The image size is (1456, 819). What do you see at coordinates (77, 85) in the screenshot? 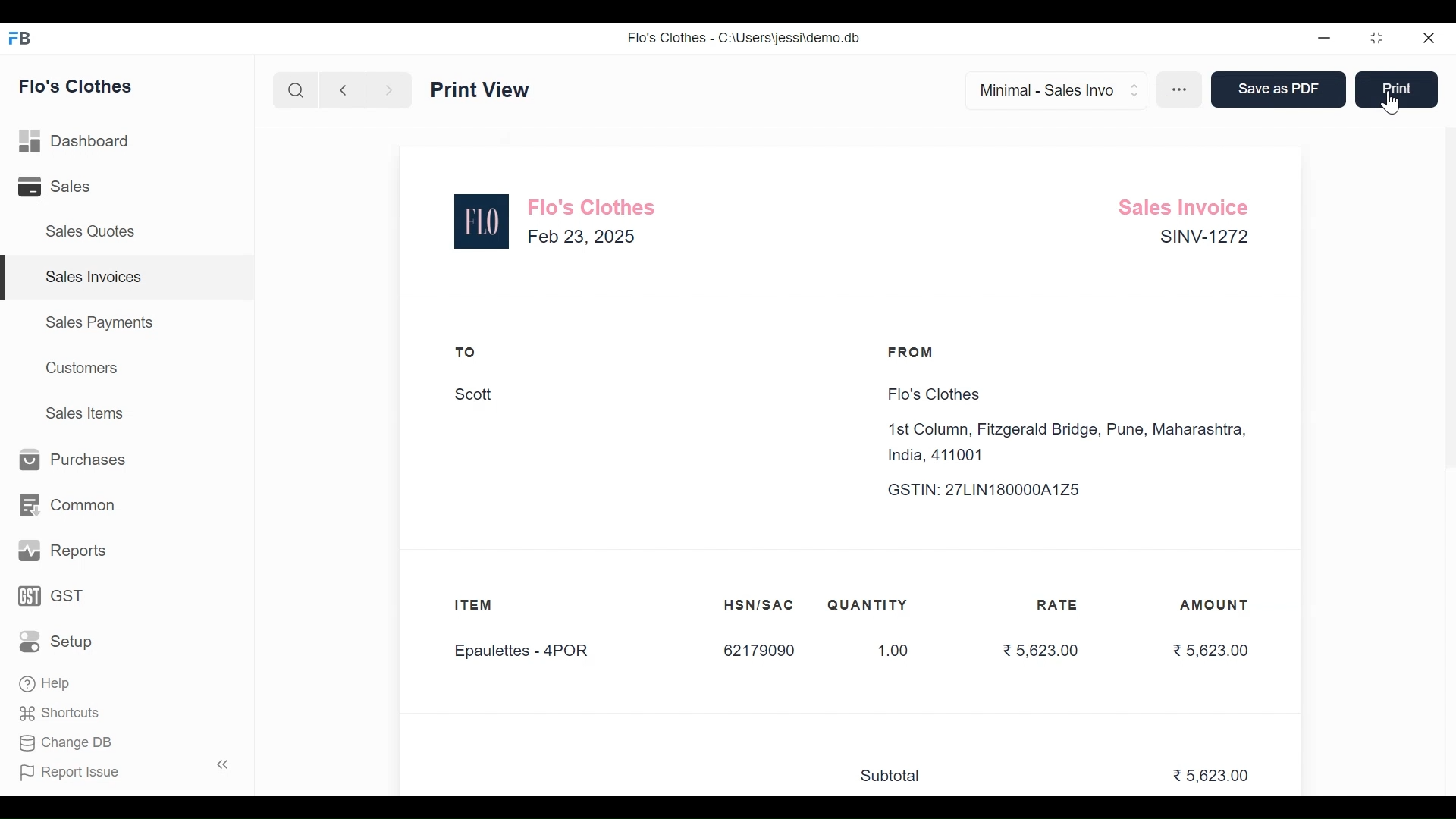
I see `Flo's Clothes` at bounding box center [77, 85].